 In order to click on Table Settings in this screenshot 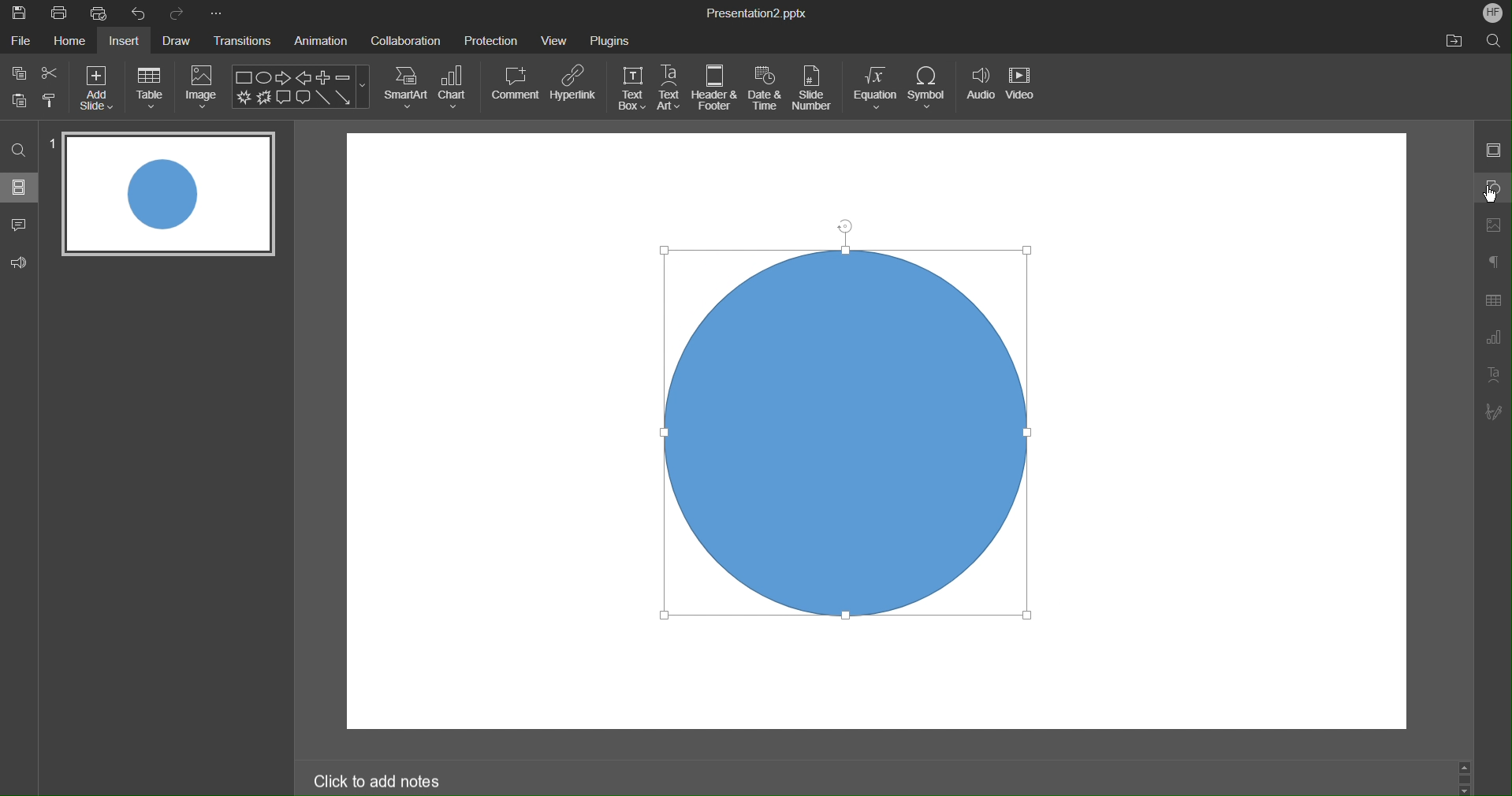, I will do `click(1492, 300)`.